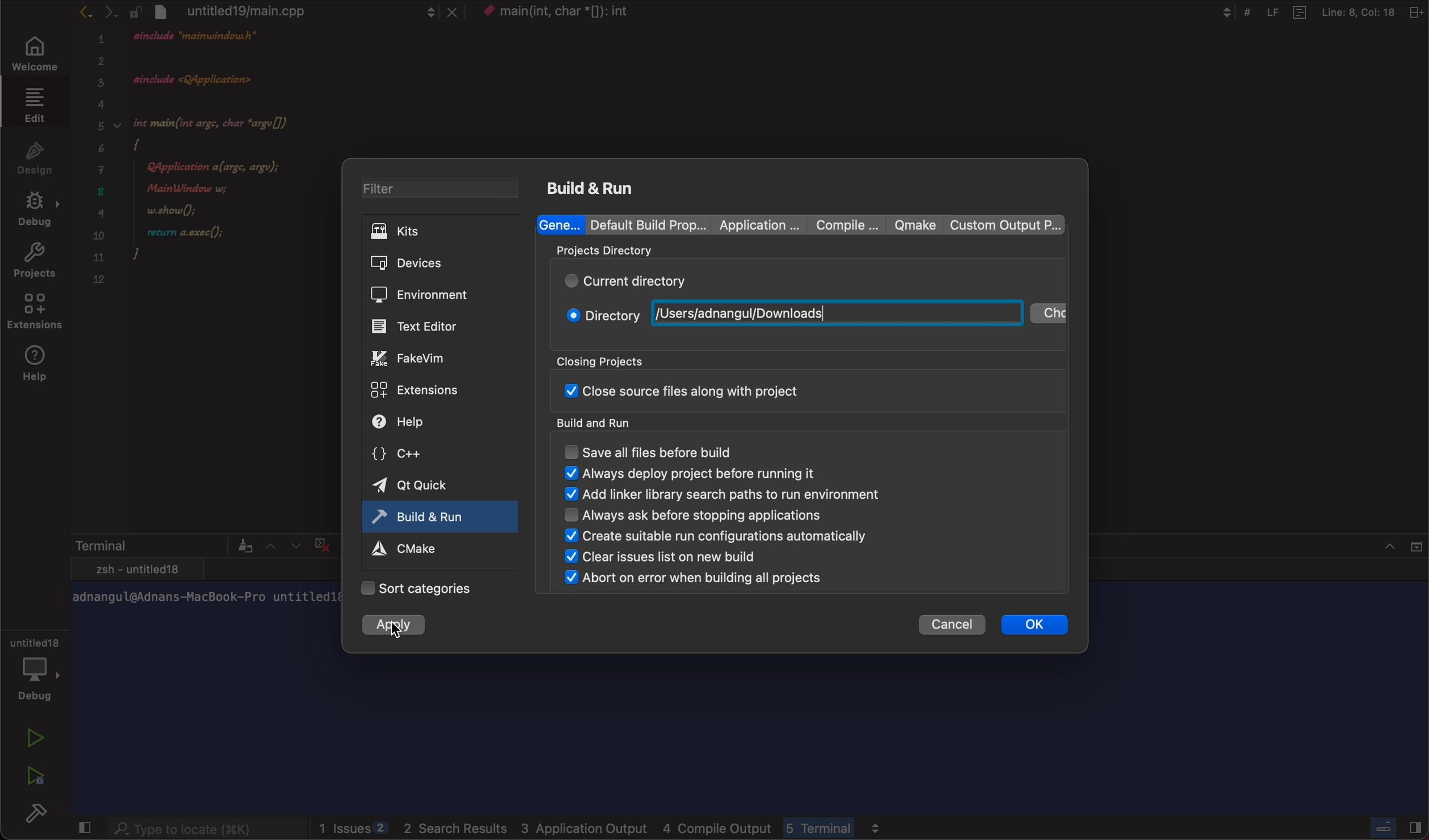 The height and width of the screenshot is (840, 1429). What do you see at coordinates (703, 517) in the screenshot?
I see `always ask` at bounding box center [703, 517].